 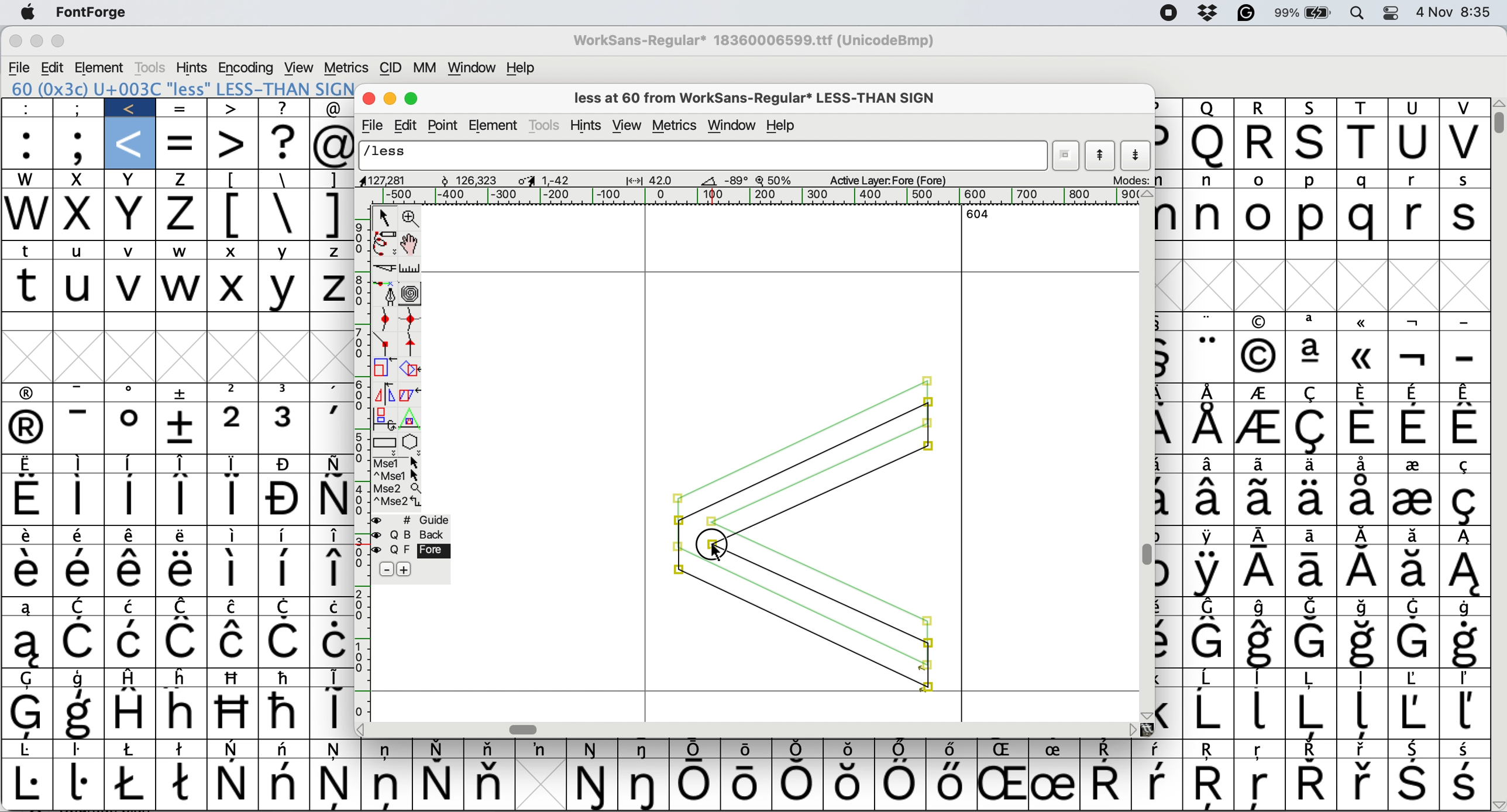 What do you see at coordinates (287, 464) in the screenshot?
I see `Symbol` at bounding box center [287, 464].